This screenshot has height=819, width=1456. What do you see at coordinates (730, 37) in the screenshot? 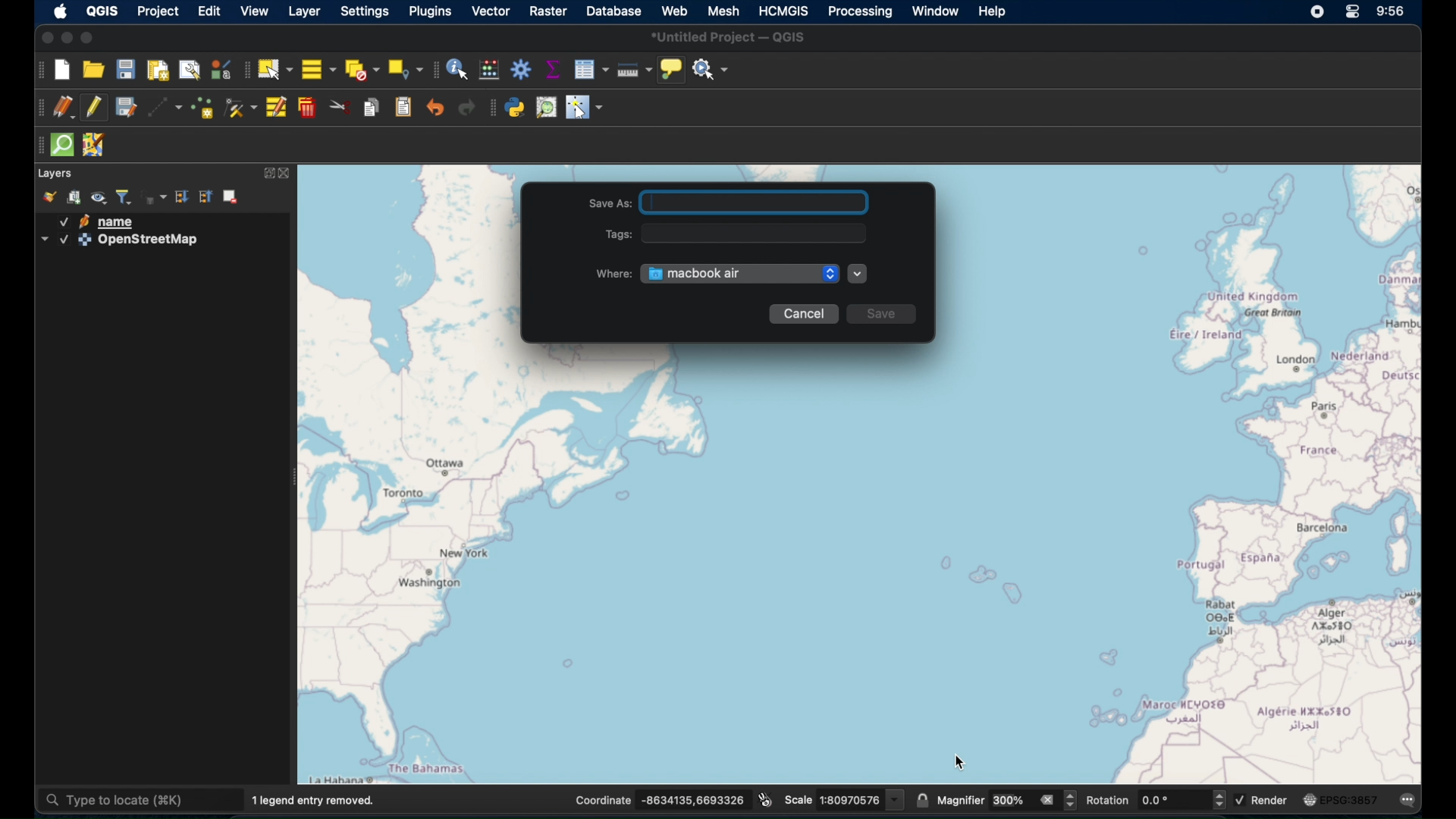
I see `untitled project - QGIS` at bounding box center [730, 37].